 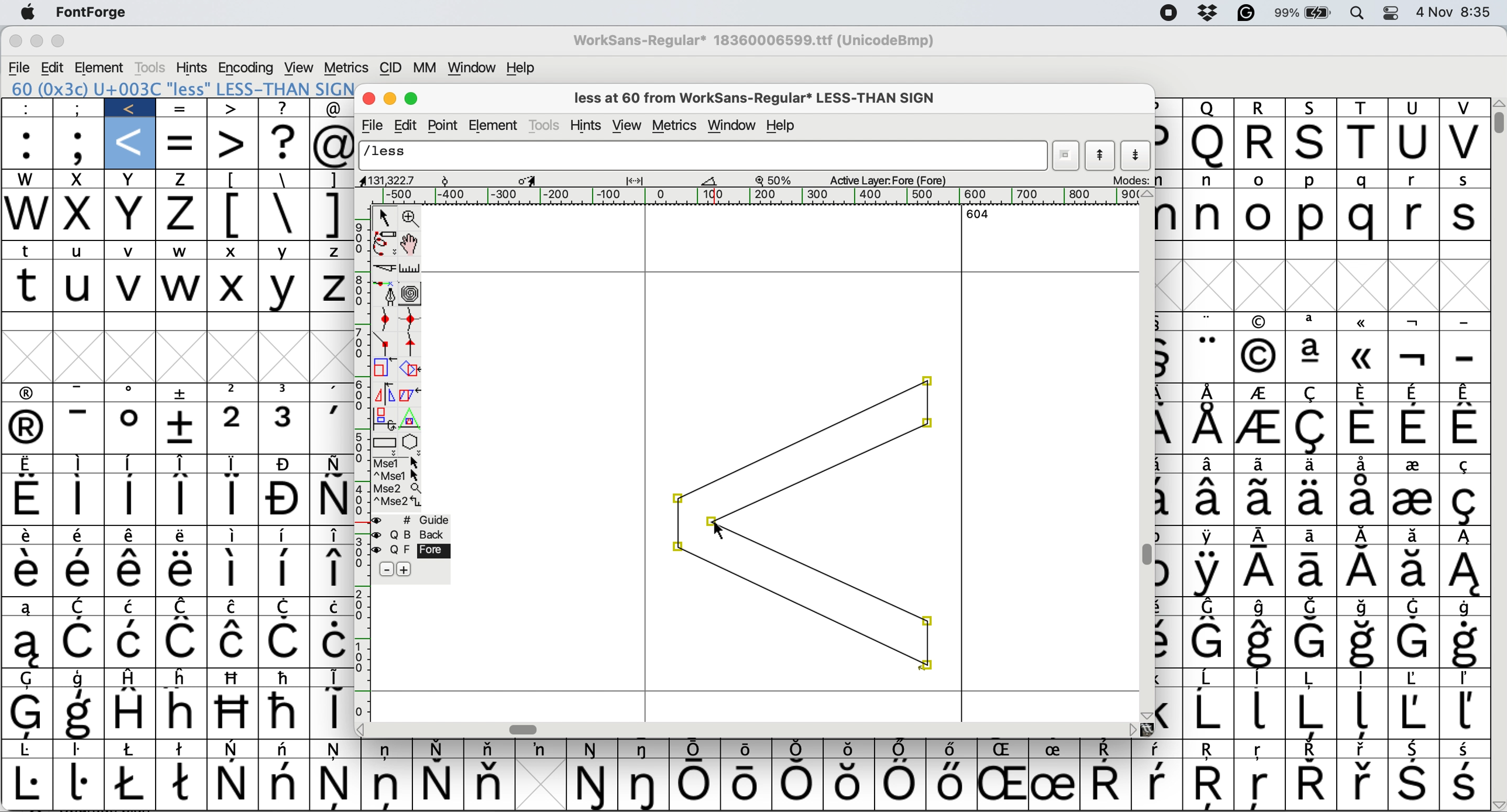 I want to click on cut splines in two, so click(x=384, y=270).